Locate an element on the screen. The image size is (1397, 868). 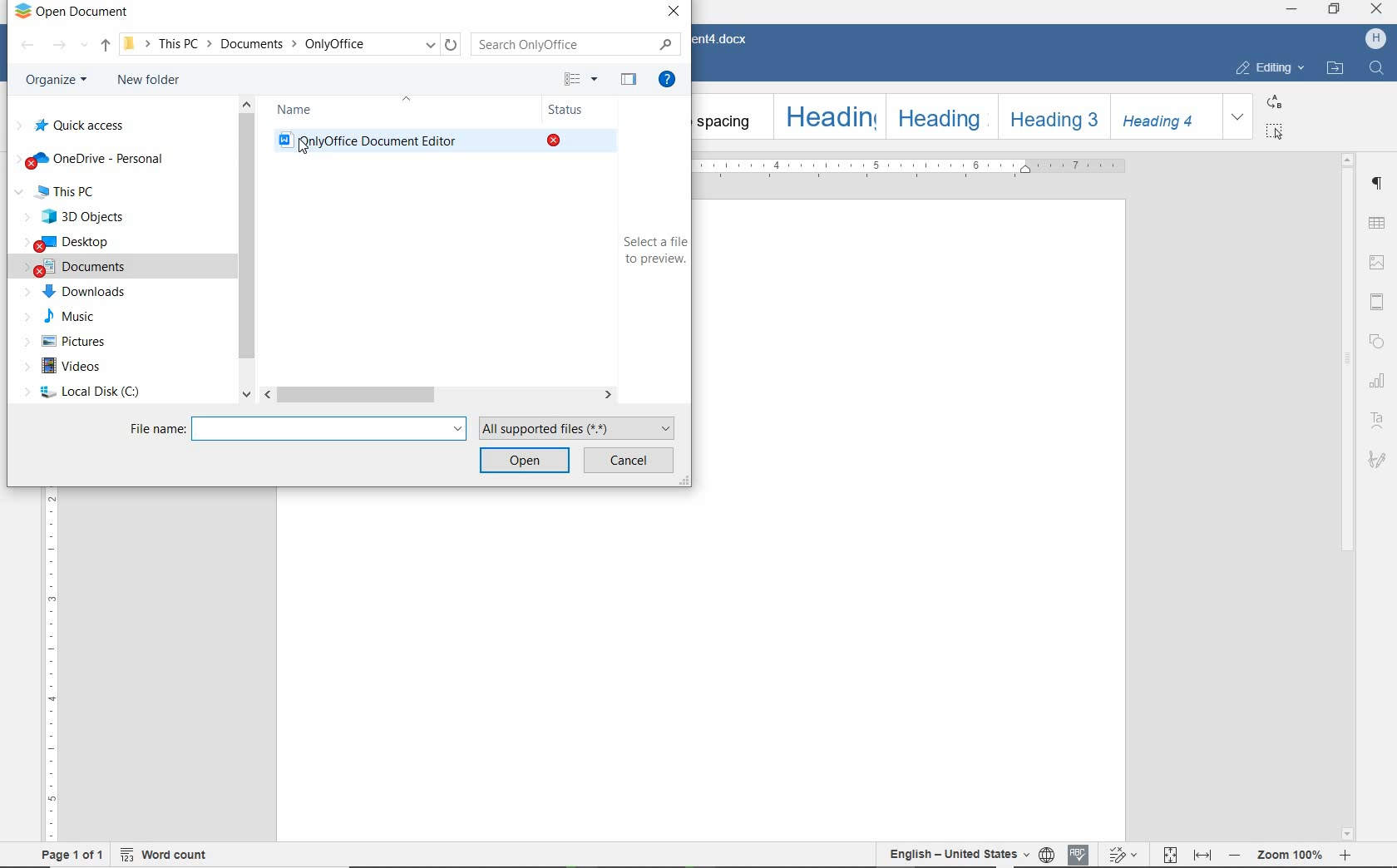
open is located at coordinates (525, 460).